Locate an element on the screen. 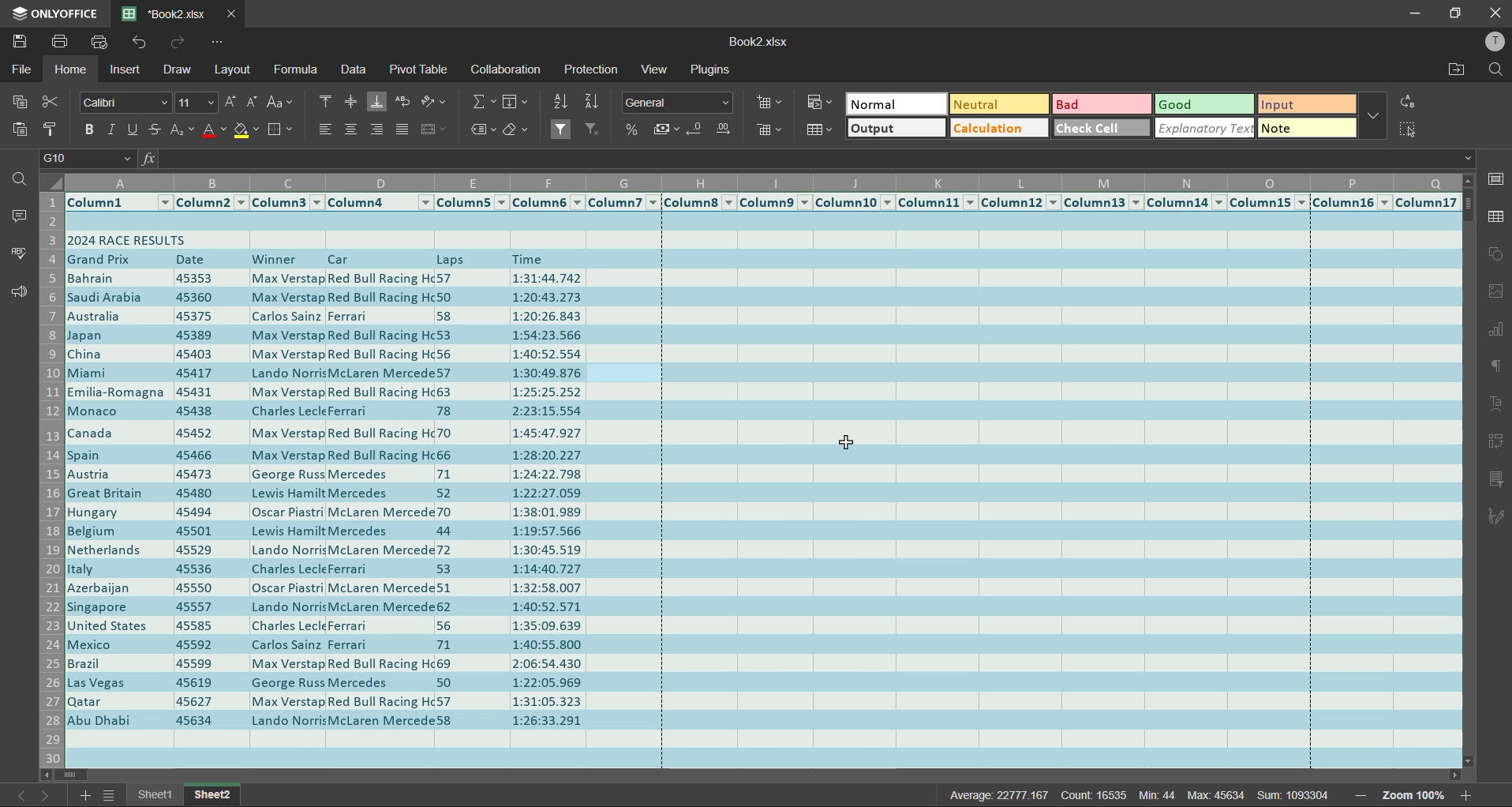  font size is located at coordinates (194, 101).